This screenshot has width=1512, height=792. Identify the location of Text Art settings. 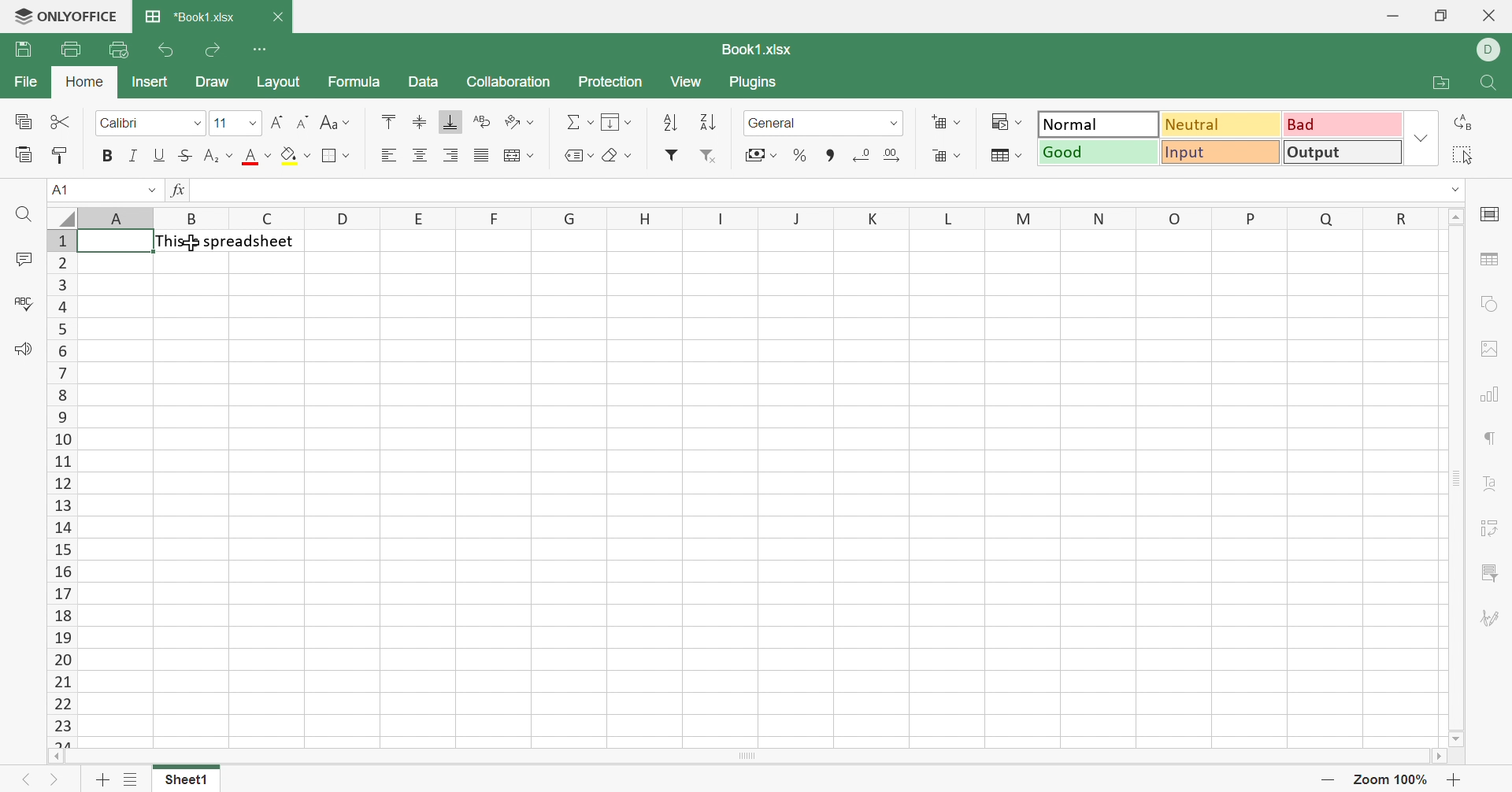
(1489, 483).